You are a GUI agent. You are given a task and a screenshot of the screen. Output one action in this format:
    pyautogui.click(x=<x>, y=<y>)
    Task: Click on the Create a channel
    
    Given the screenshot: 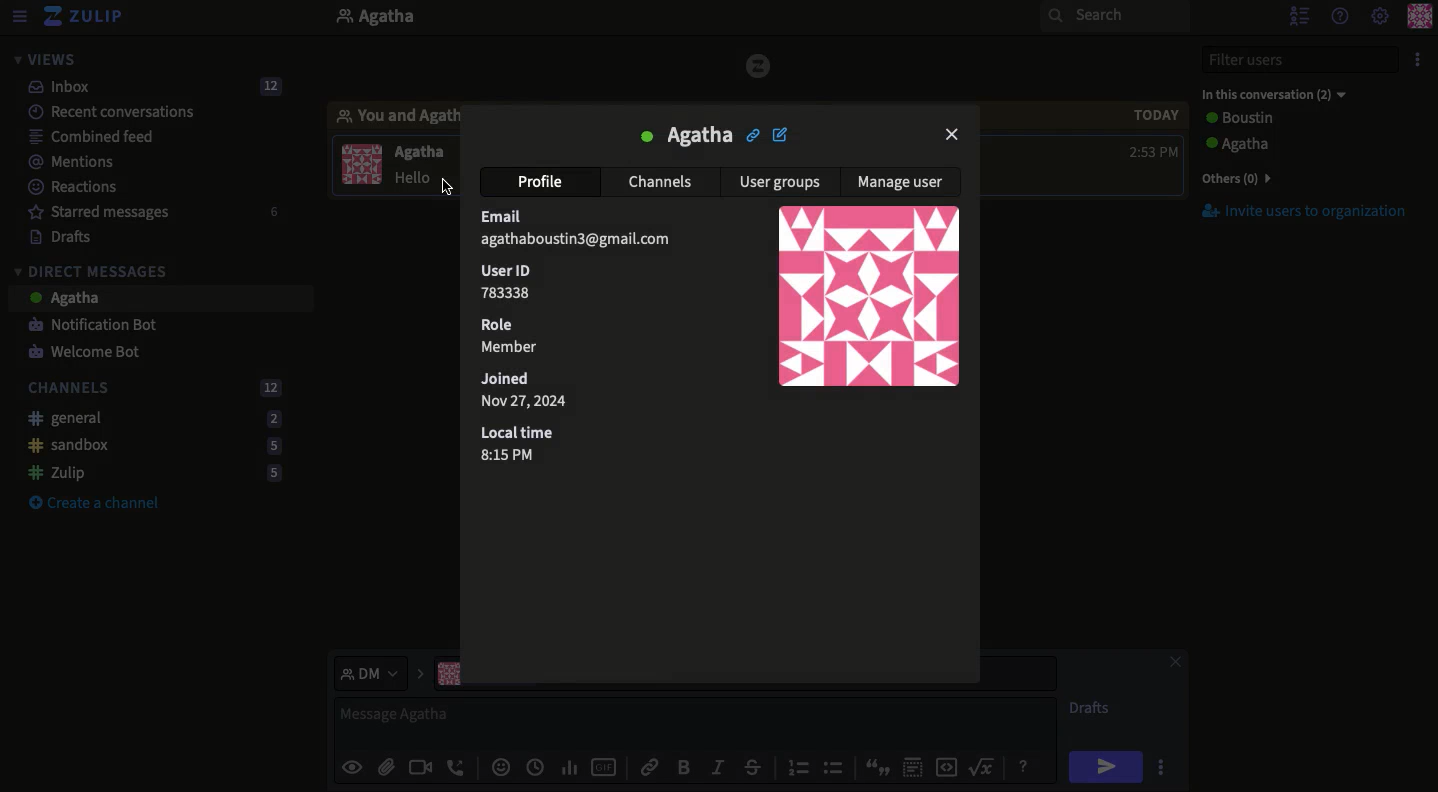 What is the action you would take?
    pyautogui.click(x=100, y=502)
    